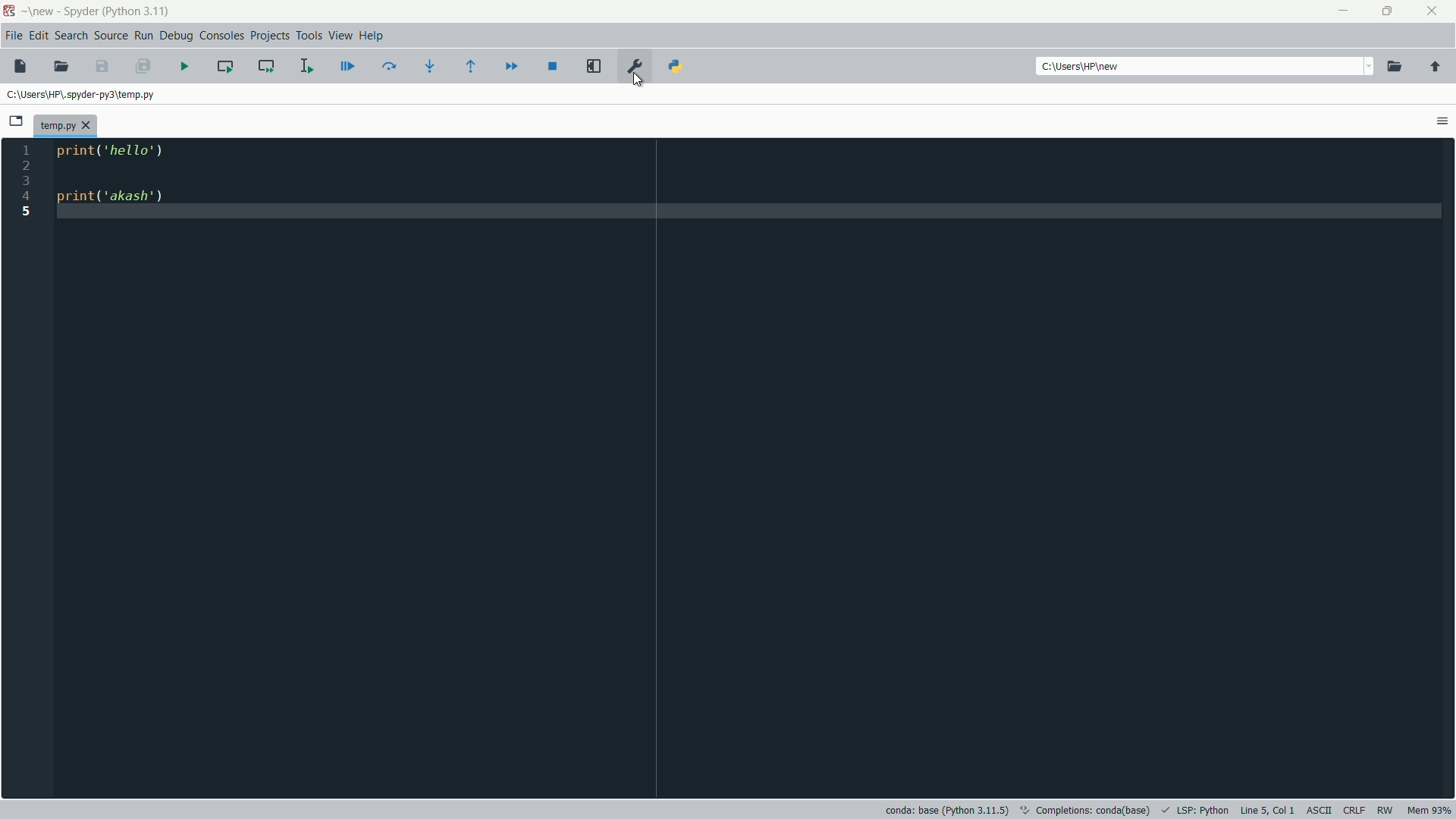  Describe the element at coordinates (1084, 67) in the screenshot. I see `directory` at that location.